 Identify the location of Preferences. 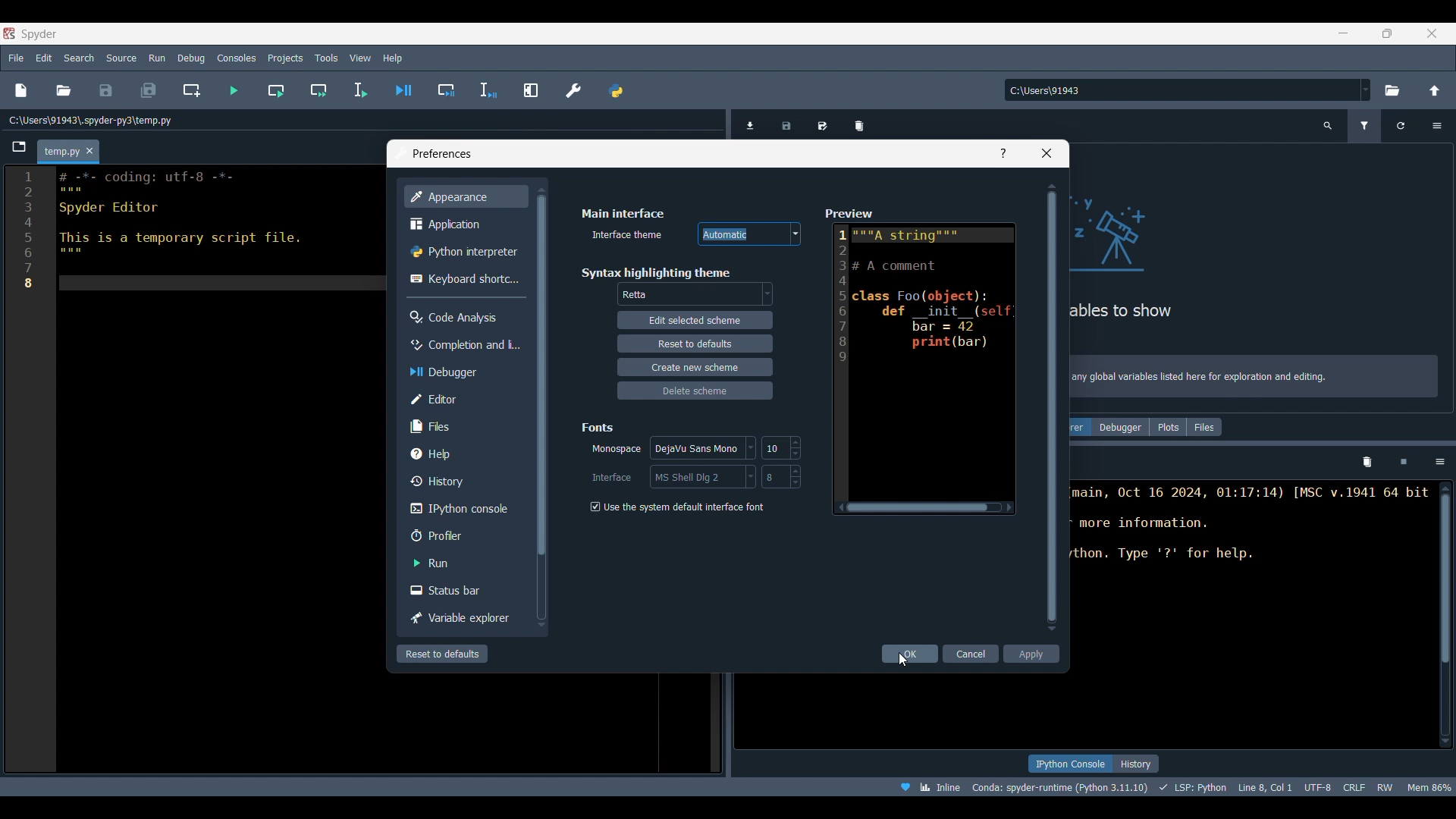
(574, 90).